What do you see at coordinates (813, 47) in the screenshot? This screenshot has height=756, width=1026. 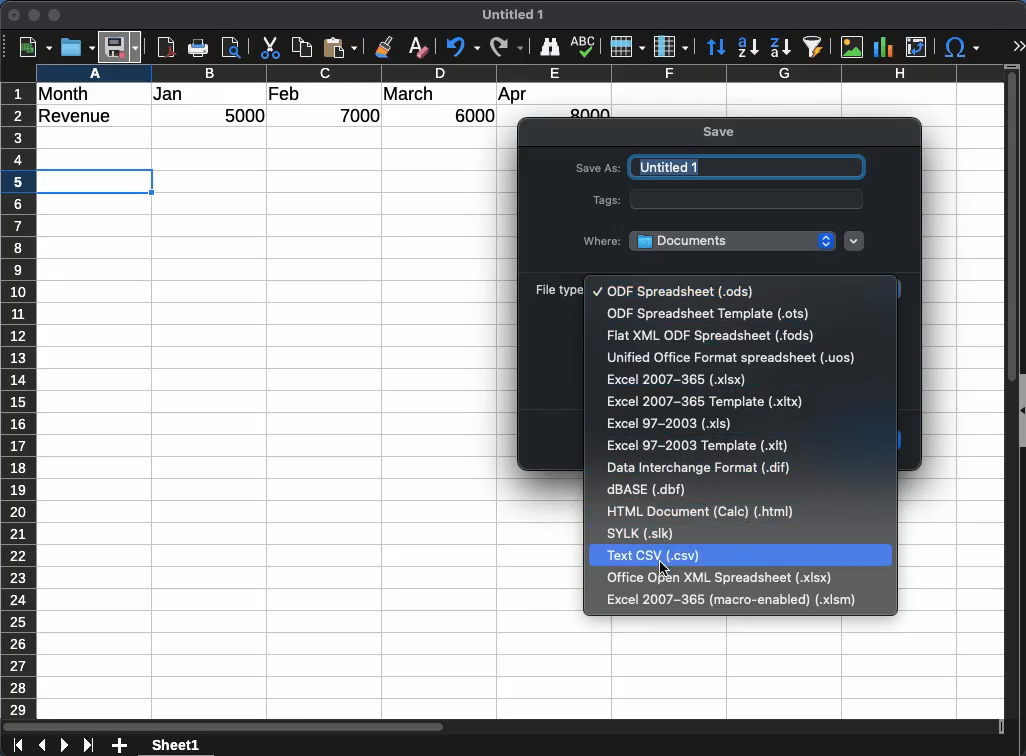 I see `autofilter` at bounding box center [813, 47].